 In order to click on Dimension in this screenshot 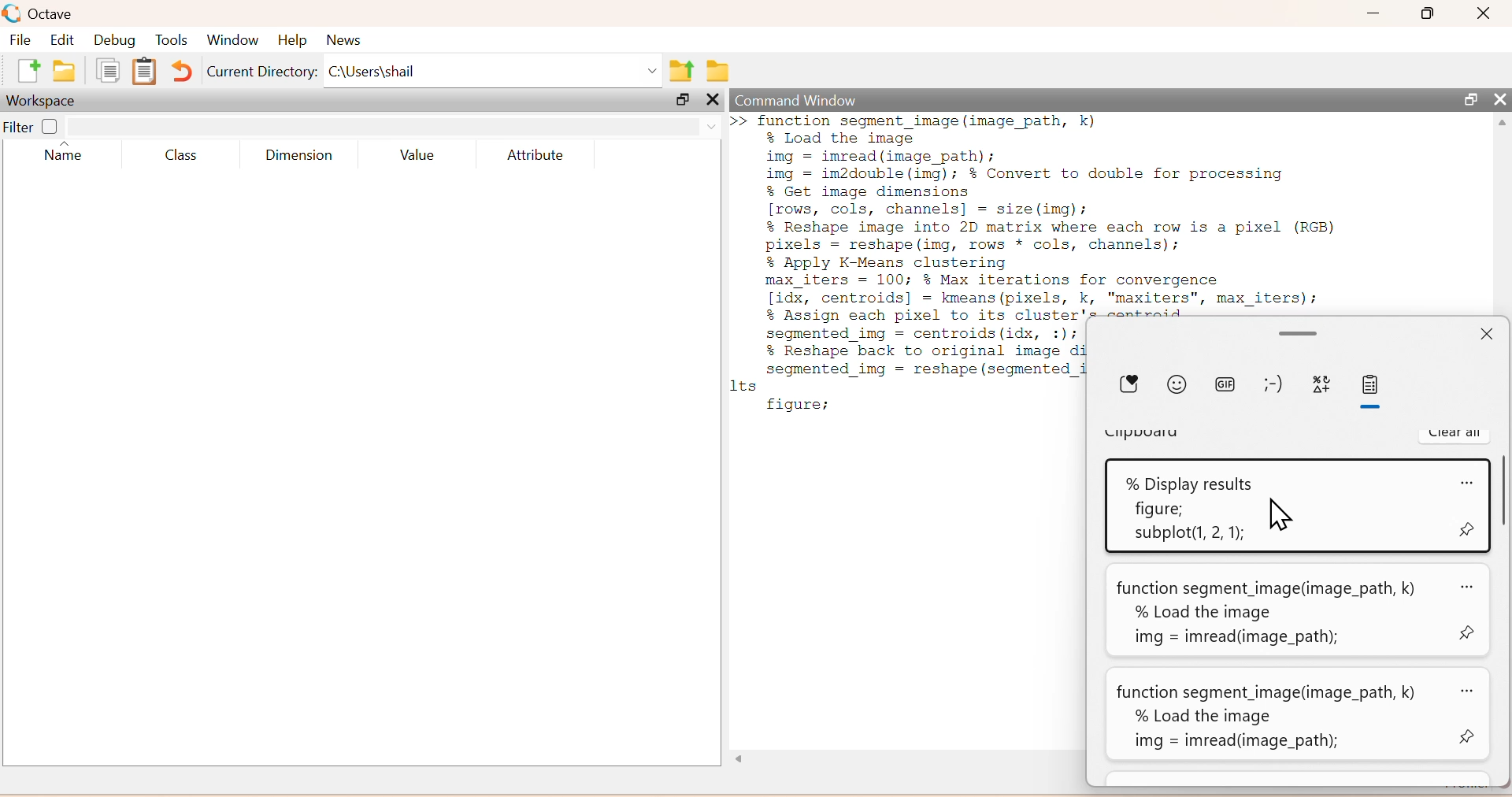, I will do `click(305, 155)`.